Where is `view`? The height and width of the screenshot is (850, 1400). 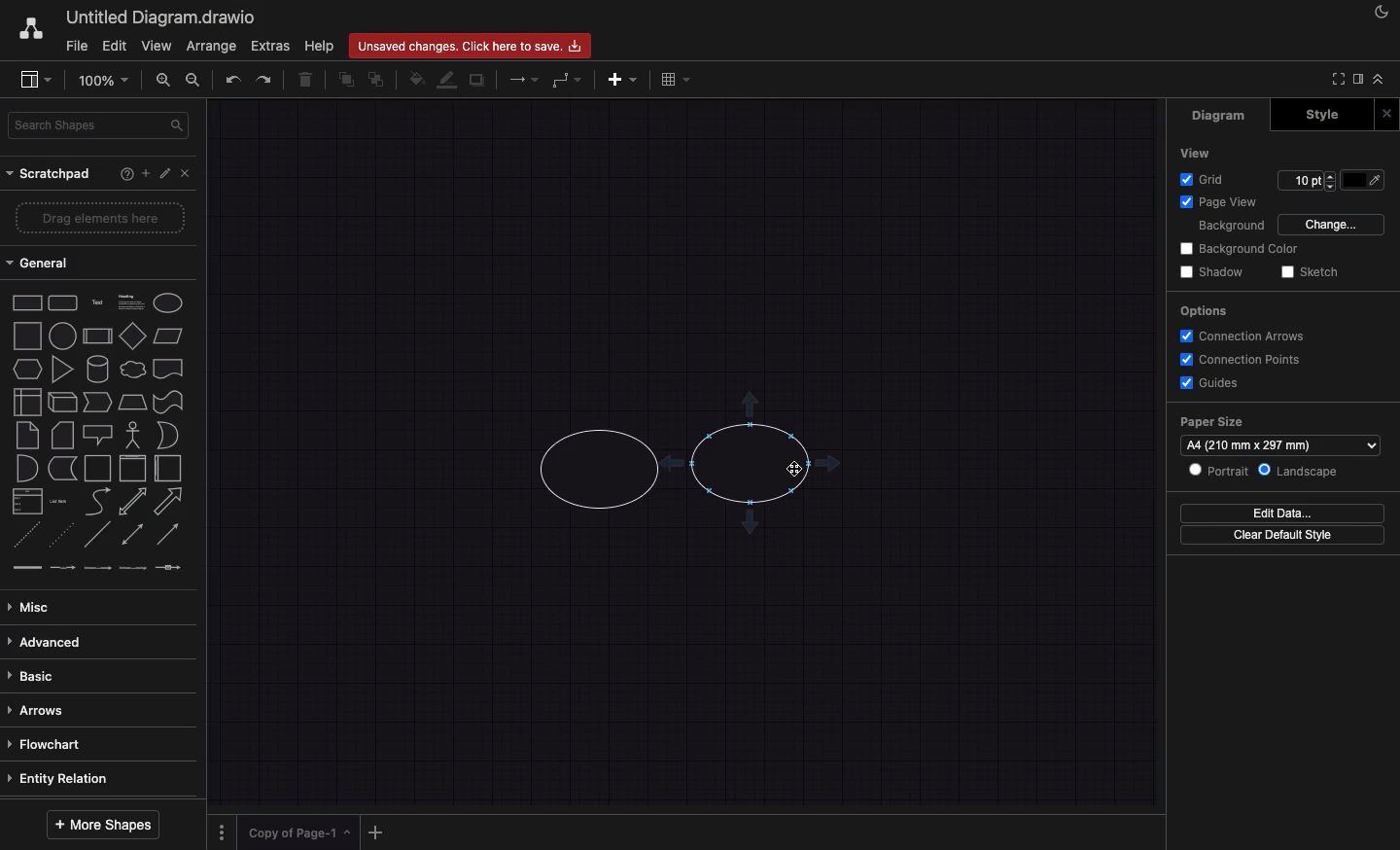 view is located at coordinates (159, 46).